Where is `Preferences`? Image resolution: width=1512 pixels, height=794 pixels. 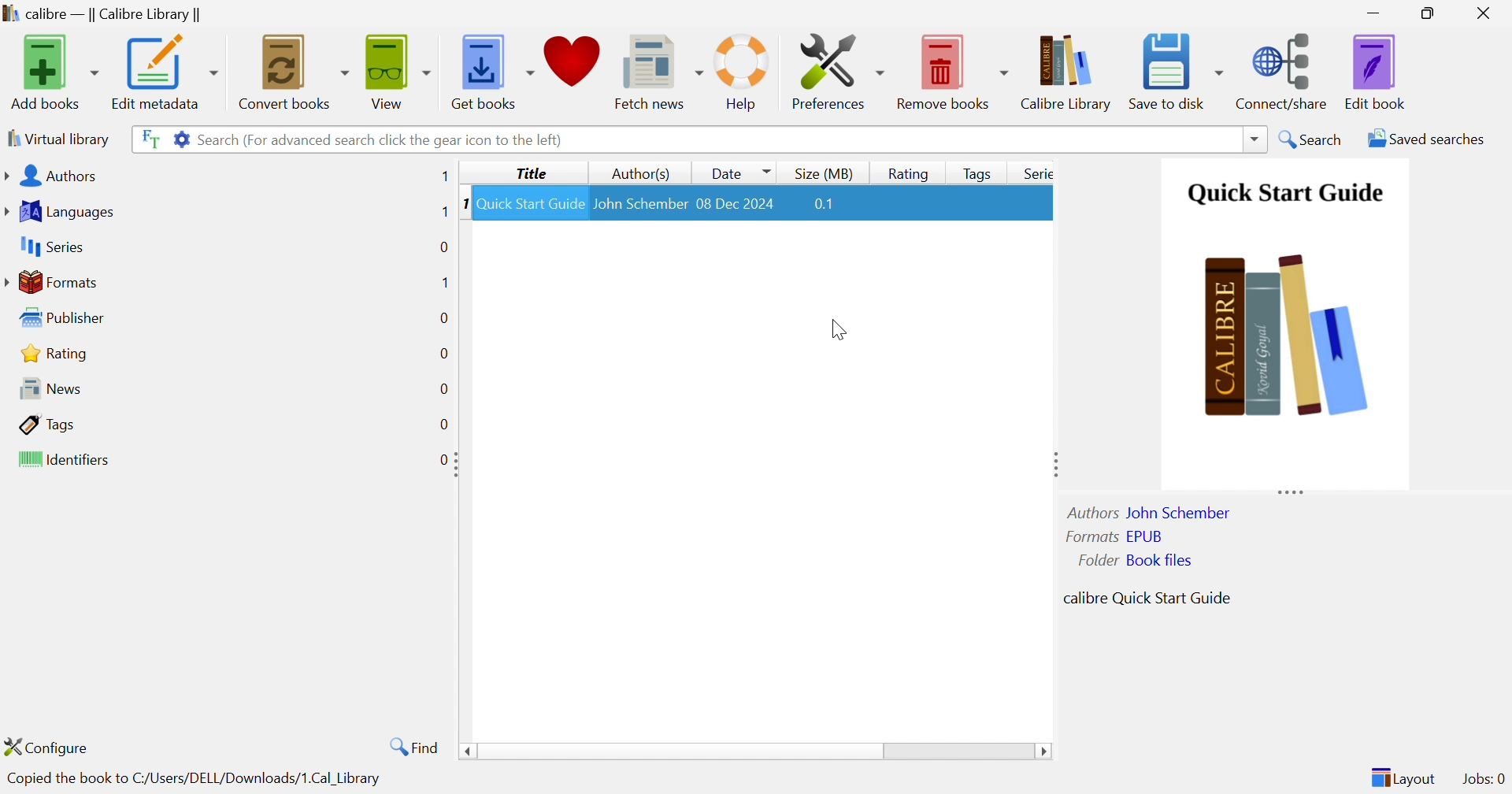 Preferences is located at coordinates (837, 71).